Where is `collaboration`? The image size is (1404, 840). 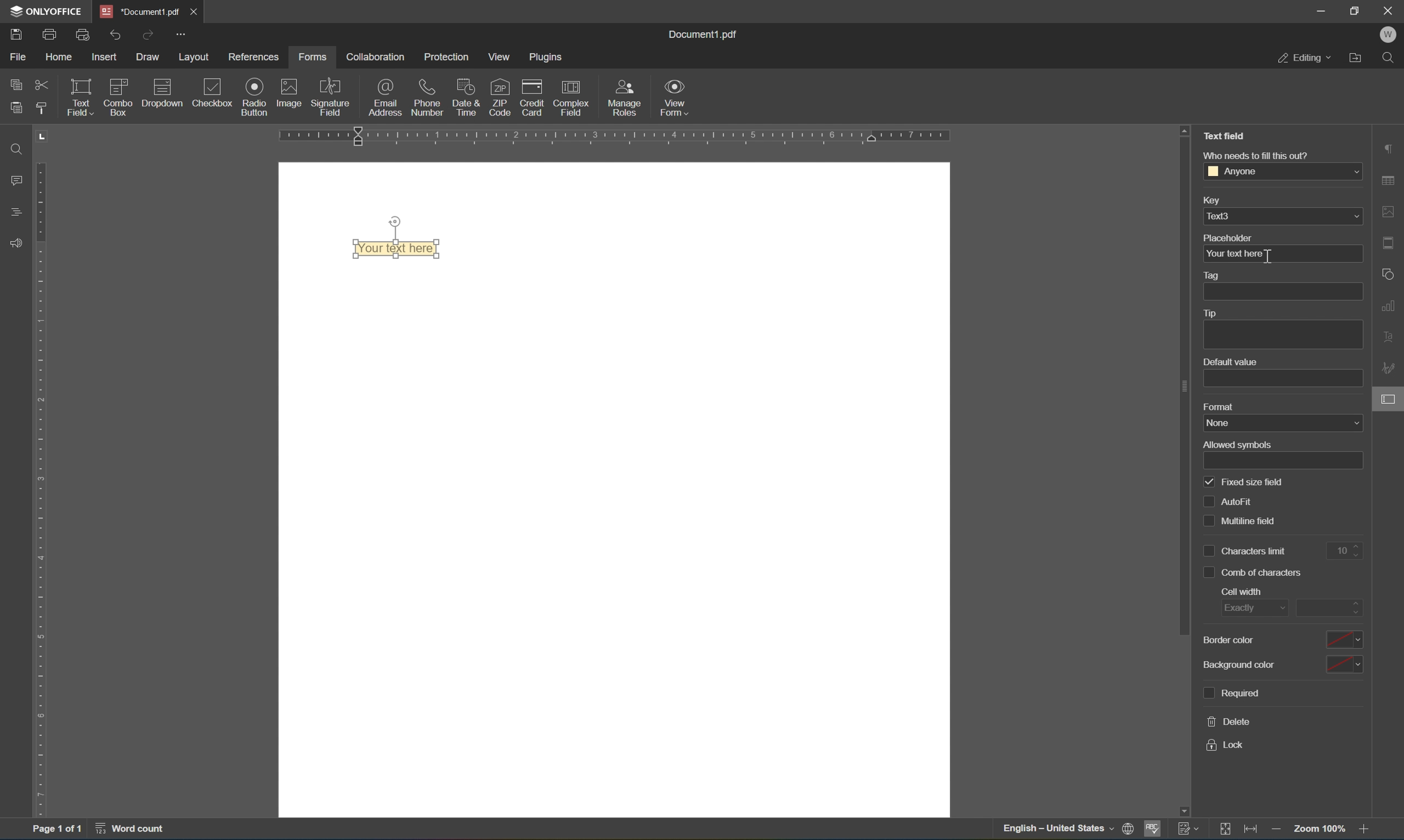 collaboration is located at coordinates (378, 57).